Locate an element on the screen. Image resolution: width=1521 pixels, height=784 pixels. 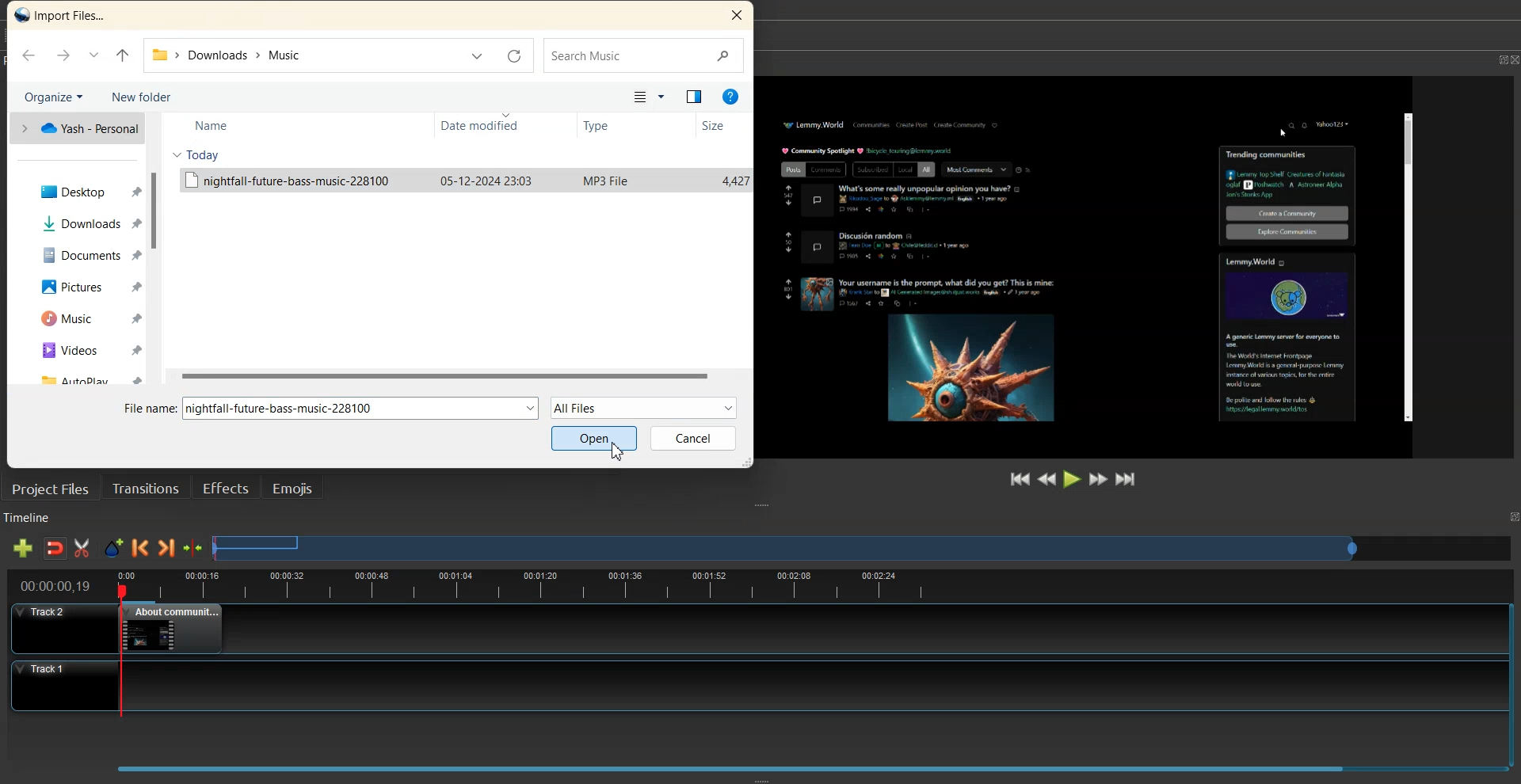
Organize is located at coordinates (53, 96).